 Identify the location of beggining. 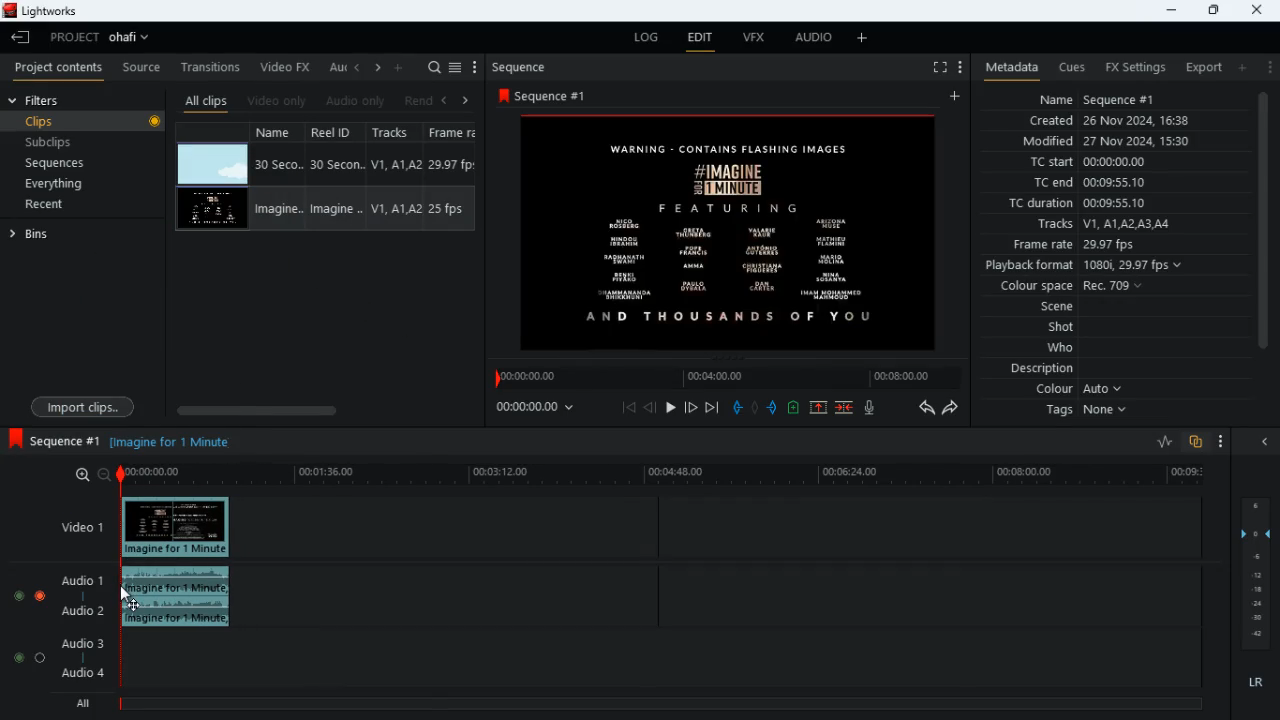
(629, 407).